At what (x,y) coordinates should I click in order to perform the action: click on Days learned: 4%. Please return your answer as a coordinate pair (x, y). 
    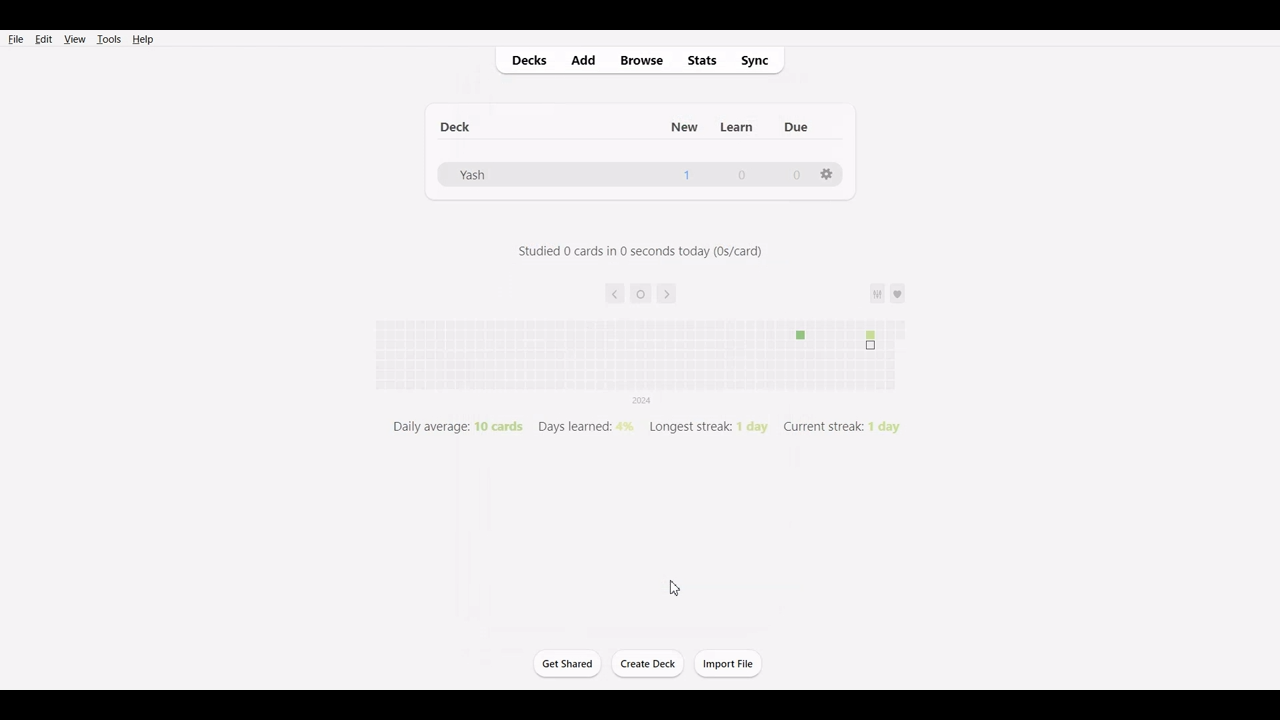
    Looking at the image, I should click on (586, 424).